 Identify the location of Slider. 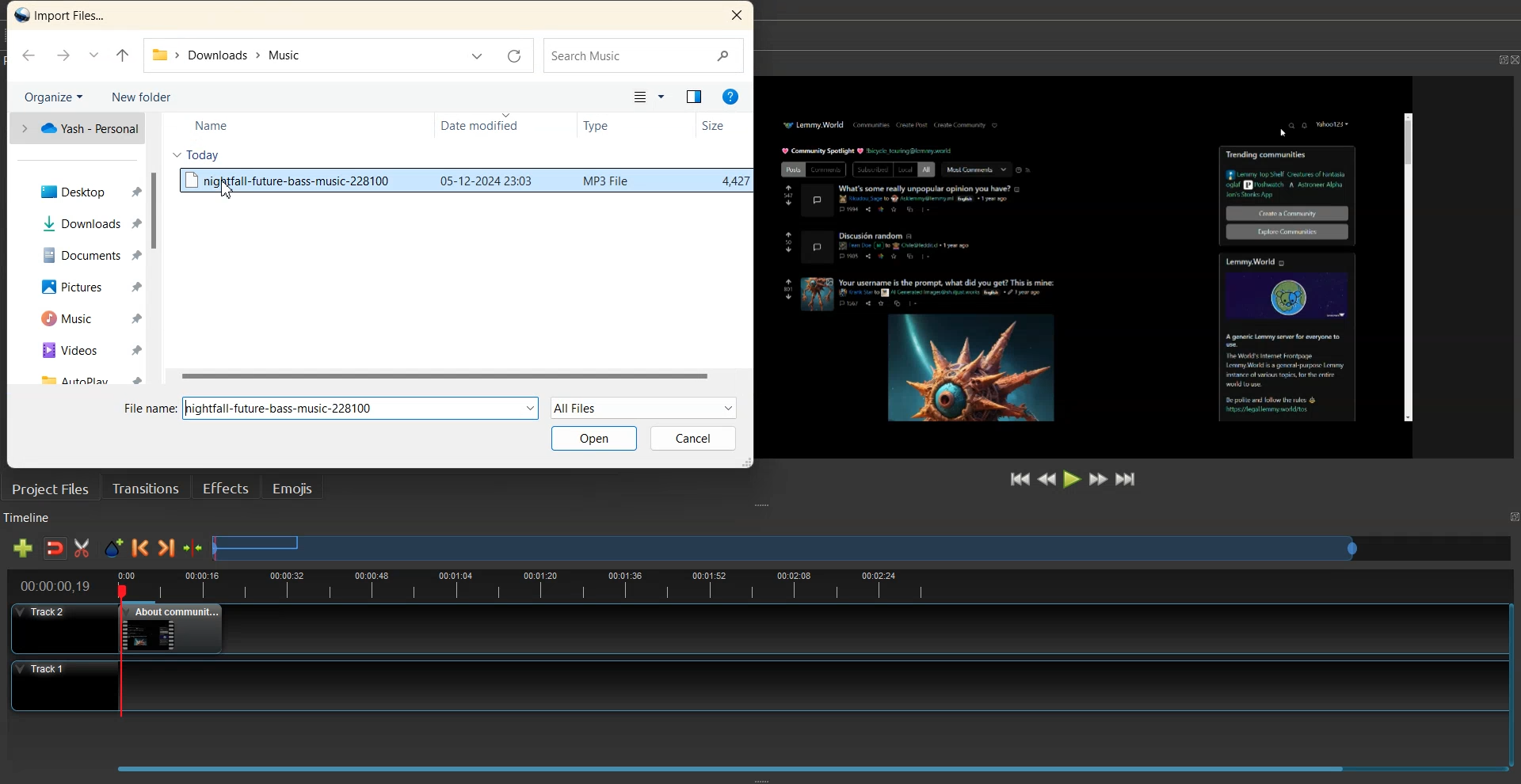
(757, 763).